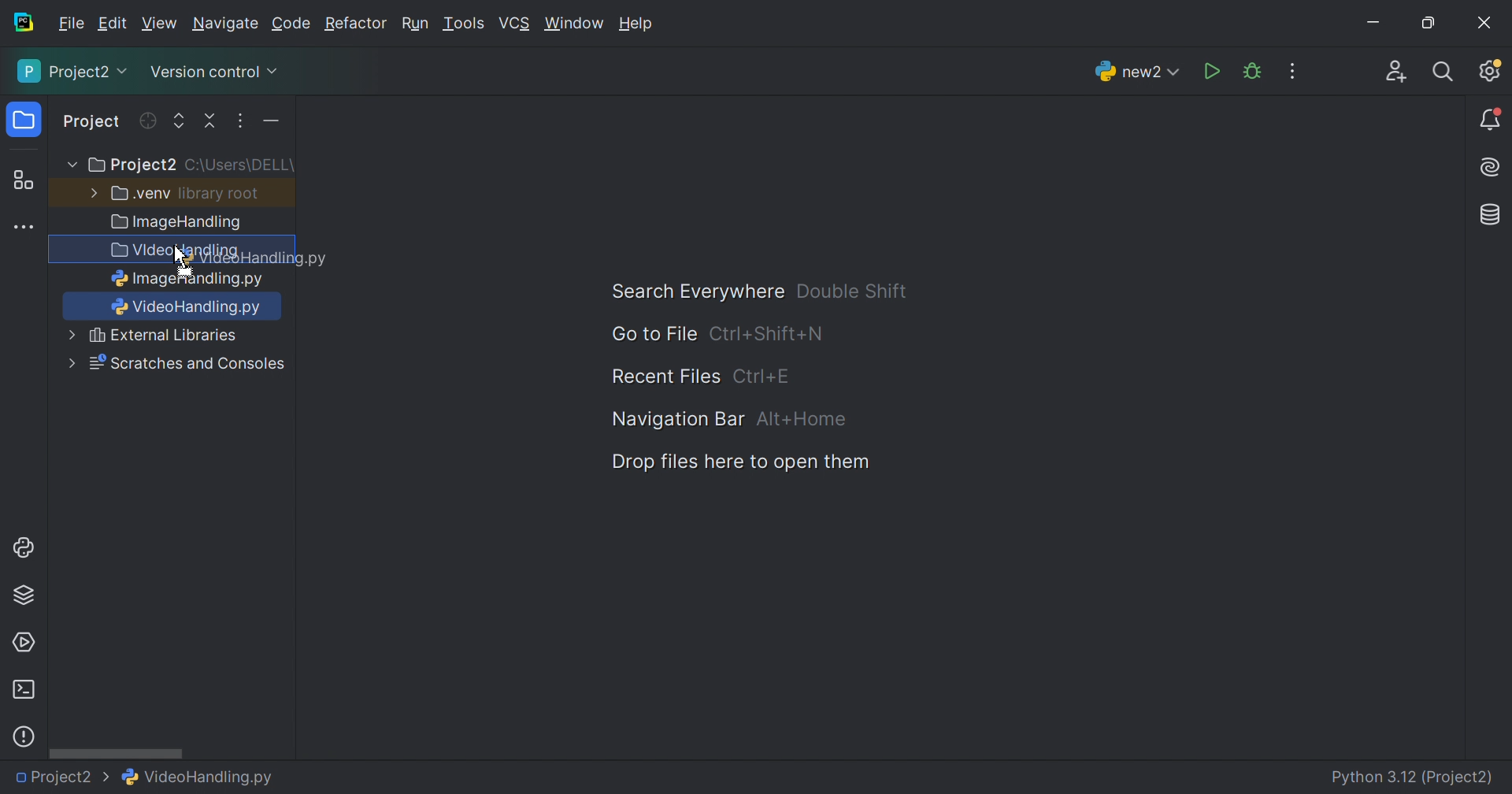 The height and width of the screenshot is (794, 1512). Describe the element at coordinates (1489, 70) in the screenshot. I see `Updates available. IDE and Project Settings.` at that location.